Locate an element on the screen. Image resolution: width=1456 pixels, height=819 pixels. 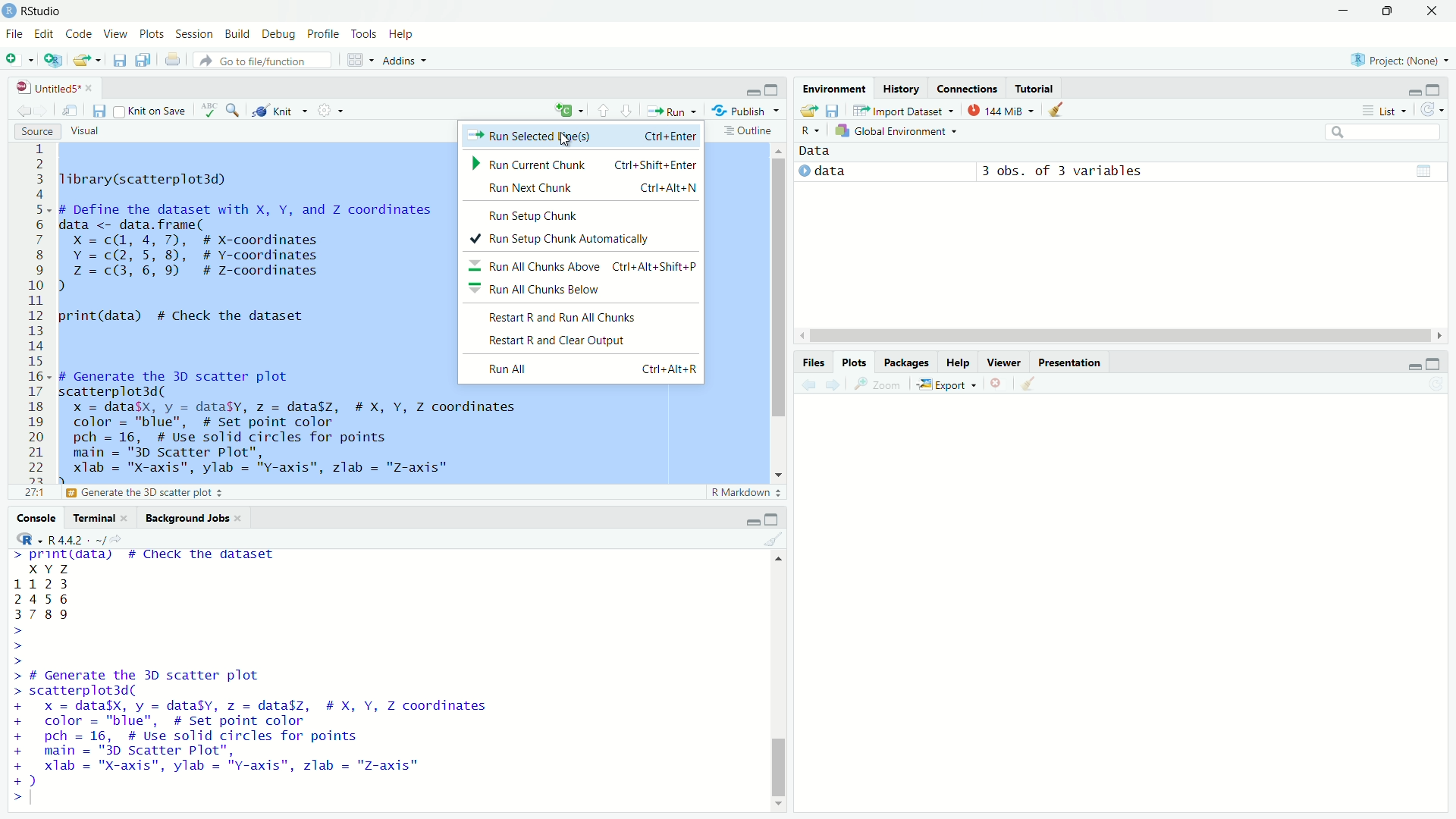
Run Setup Chunk is located at coordinates (546, 216).